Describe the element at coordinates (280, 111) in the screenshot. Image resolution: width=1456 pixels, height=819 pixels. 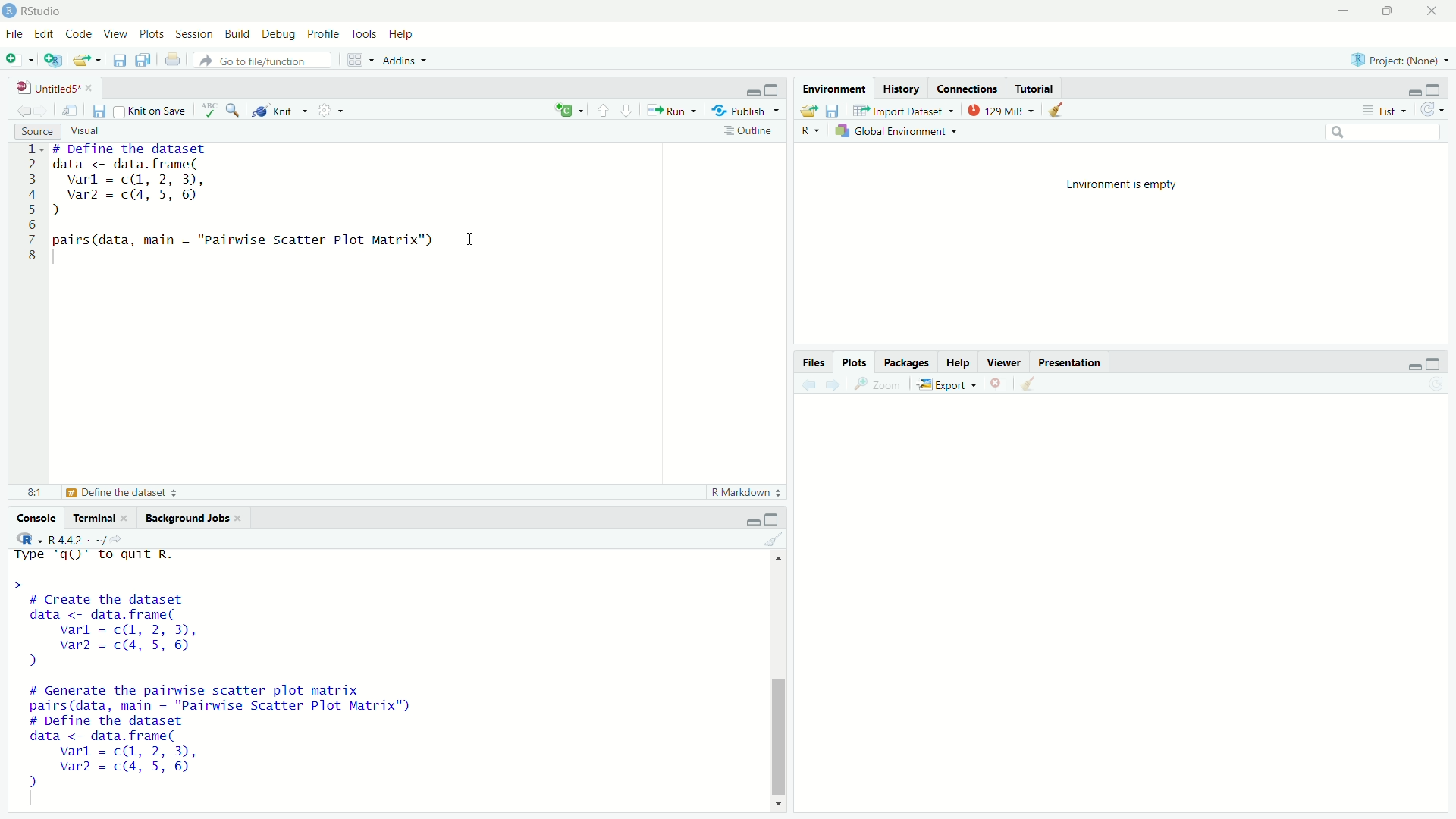
I see `Knit` at that location.